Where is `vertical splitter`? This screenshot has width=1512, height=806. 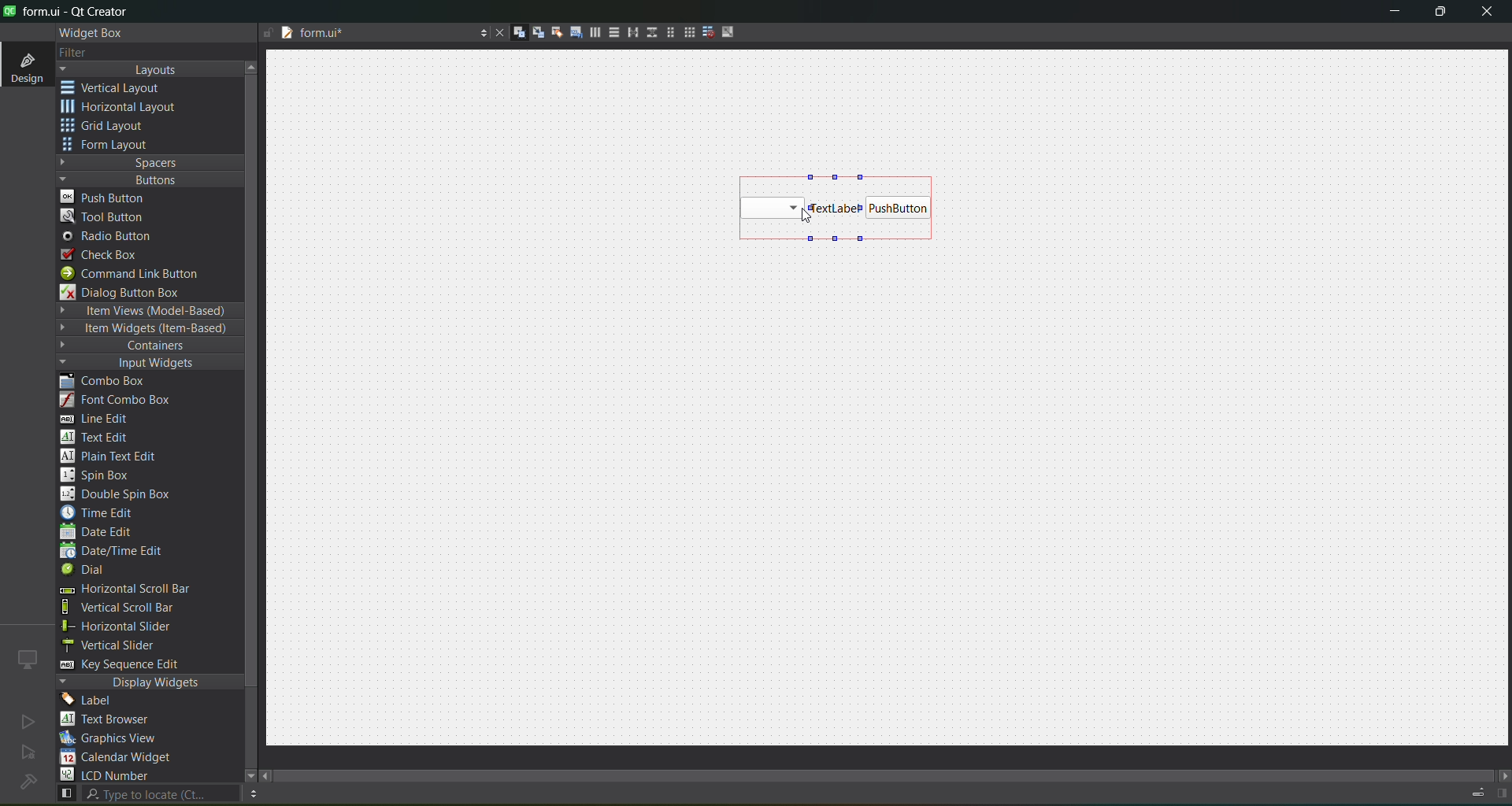 vertical splitter is located at coordinates (650, 35).